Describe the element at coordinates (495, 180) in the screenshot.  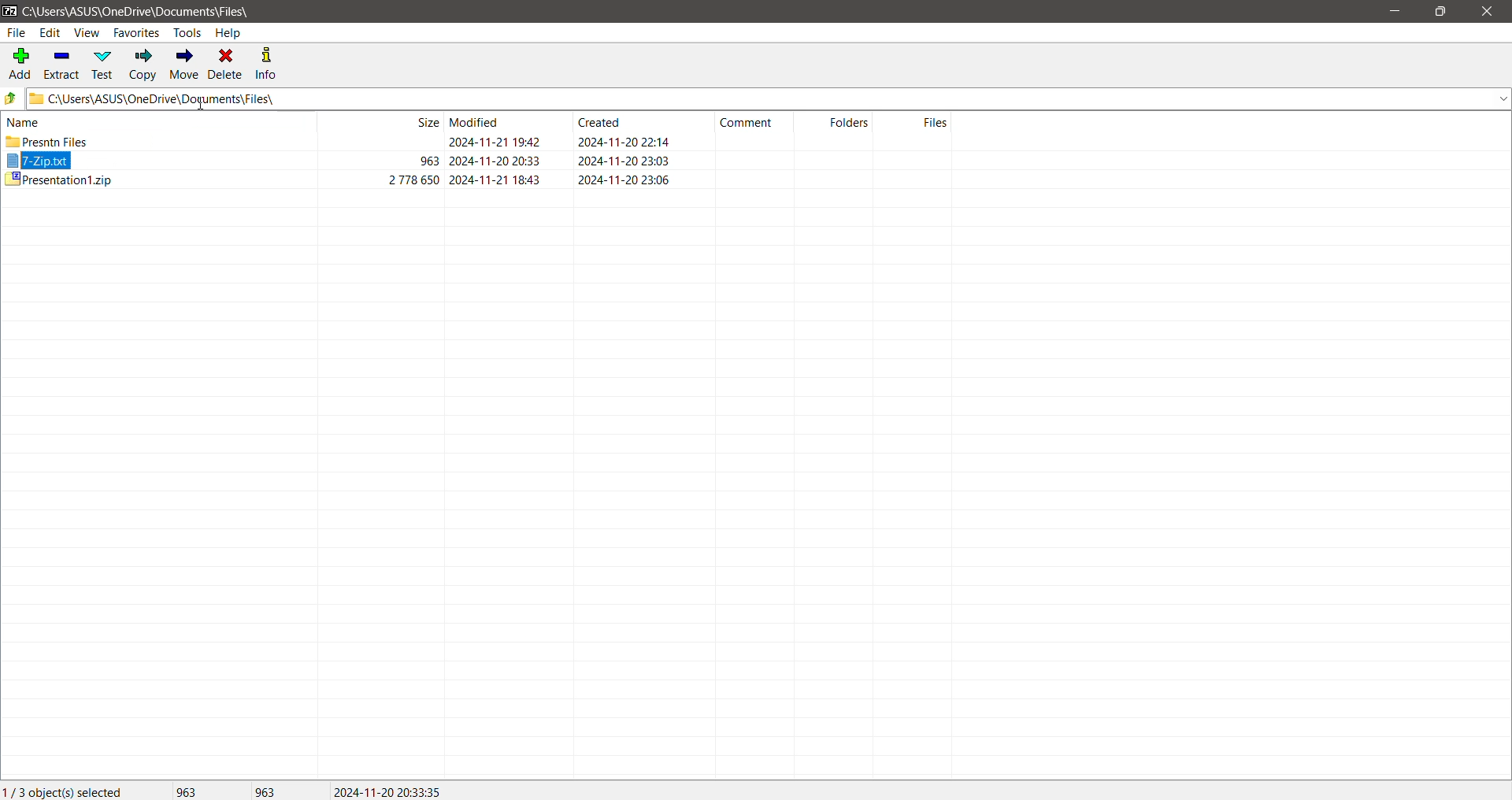
I see `modified date & time` at that location.